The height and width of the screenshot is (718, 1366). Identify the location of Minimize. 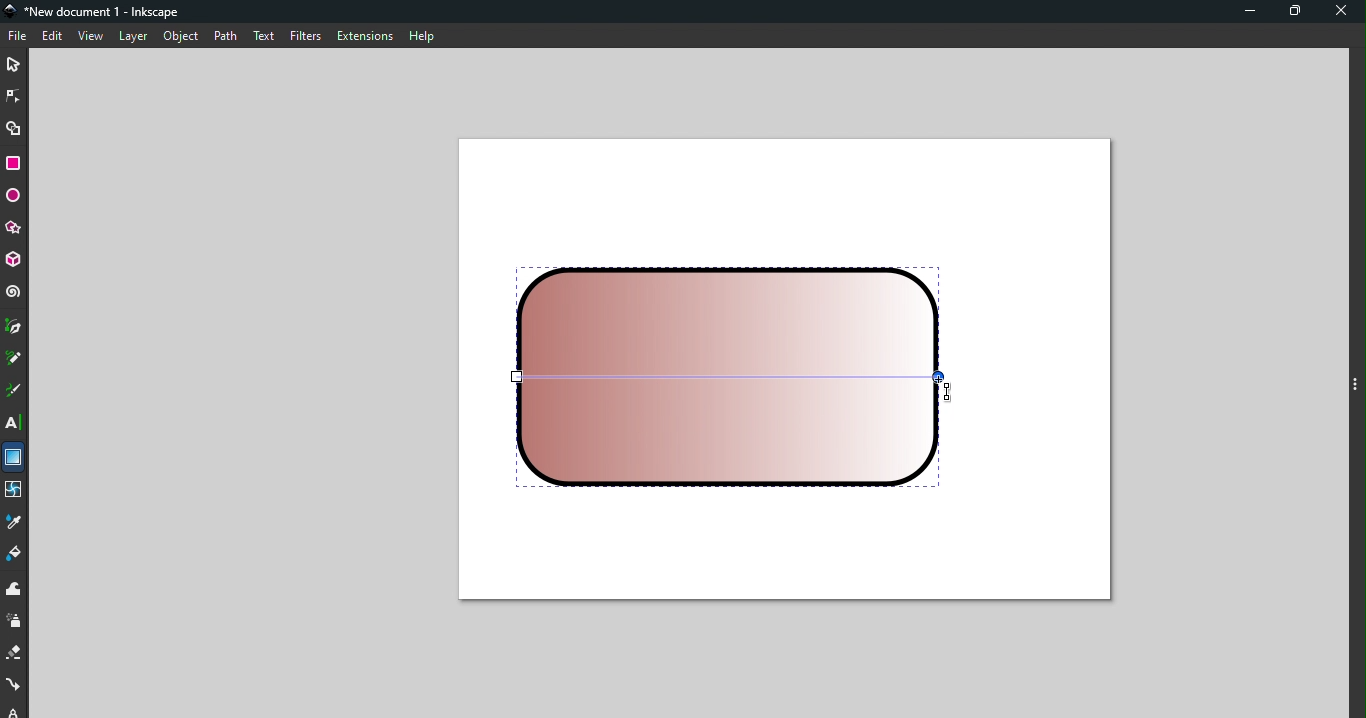
(1245, 13).